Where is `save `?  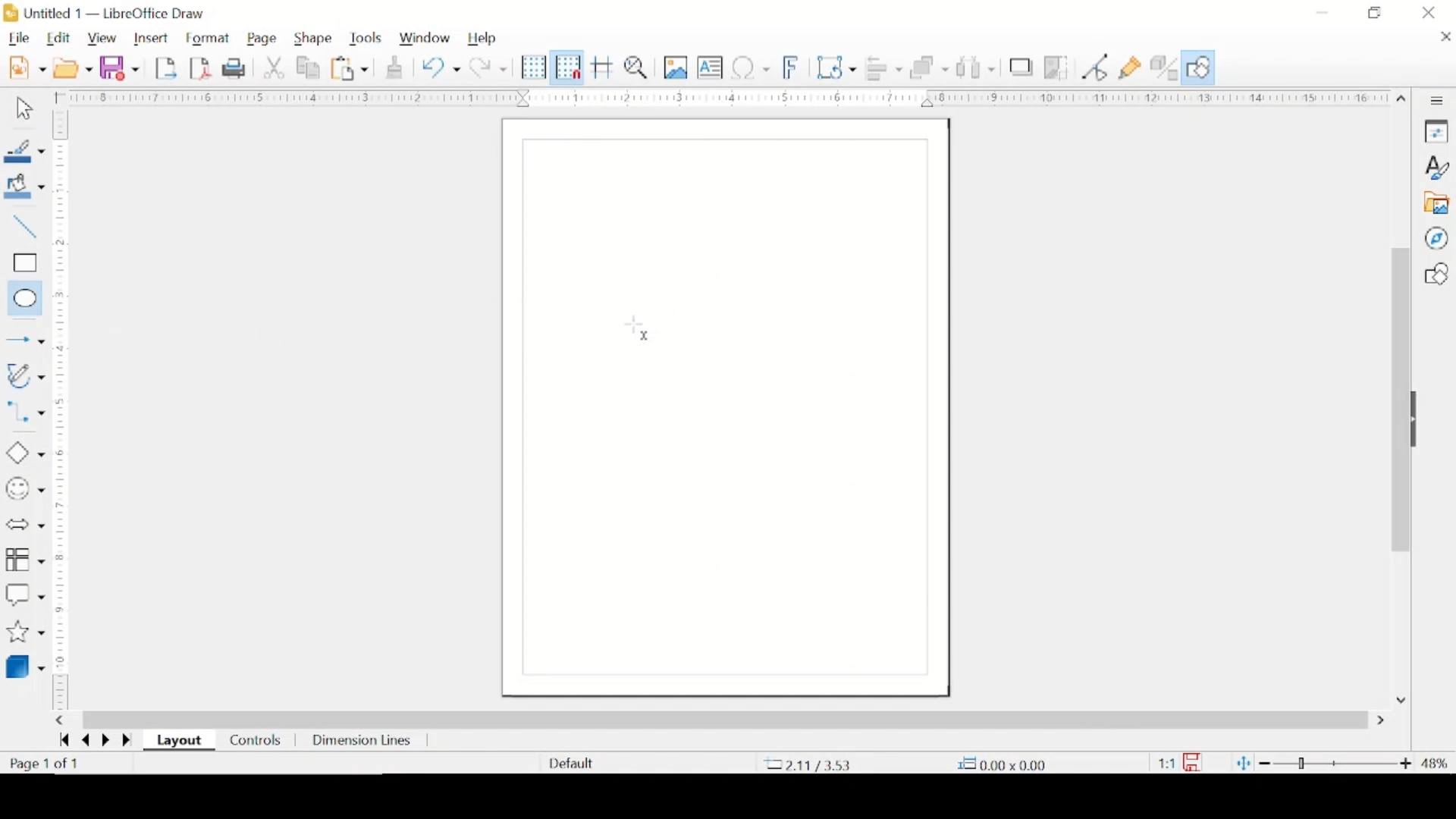 save  is located at coordinates (120, 67).